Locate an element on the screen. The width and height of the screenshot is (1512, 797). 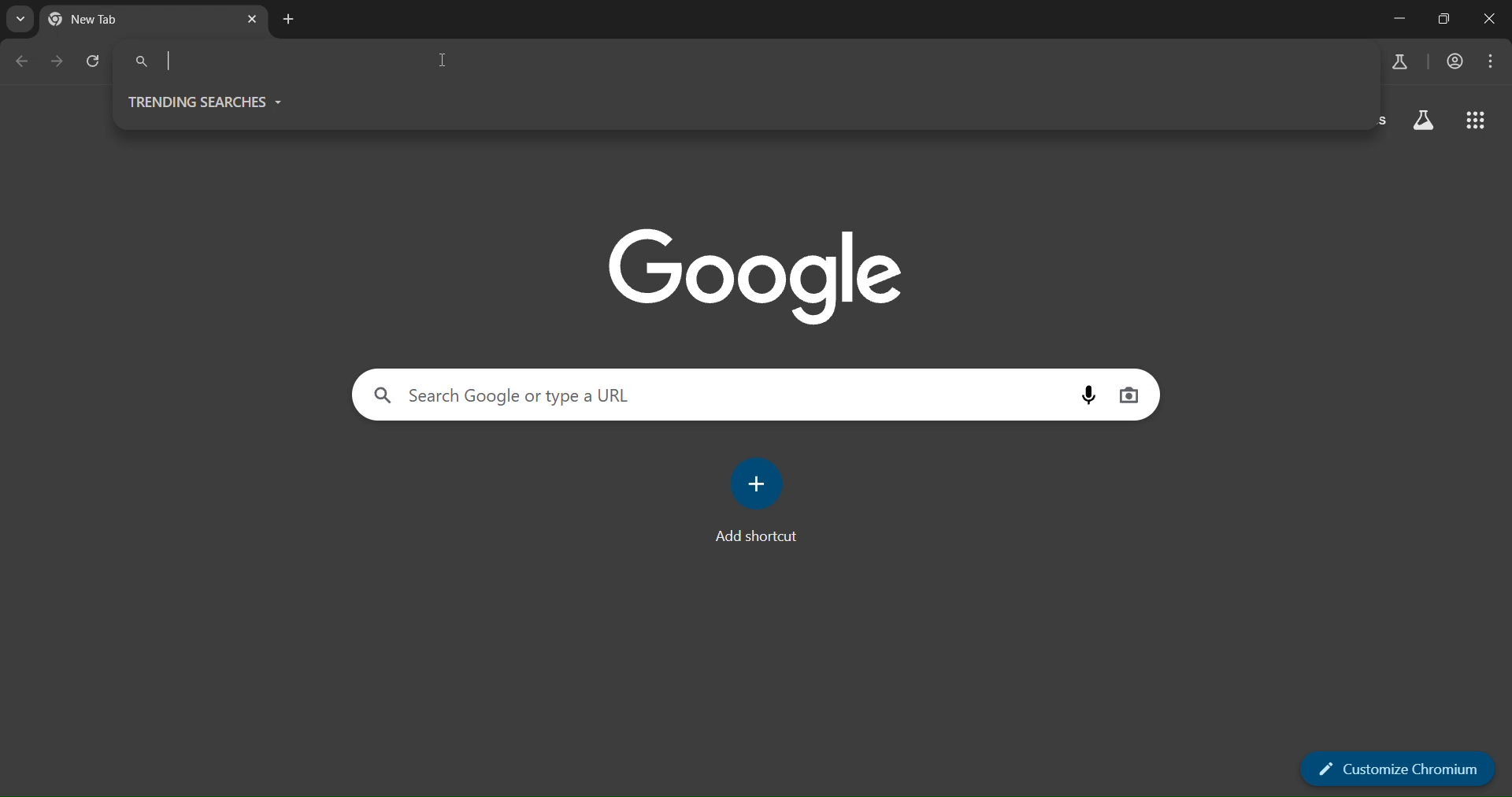
go  forward one page is located at coordinates (58, 66).